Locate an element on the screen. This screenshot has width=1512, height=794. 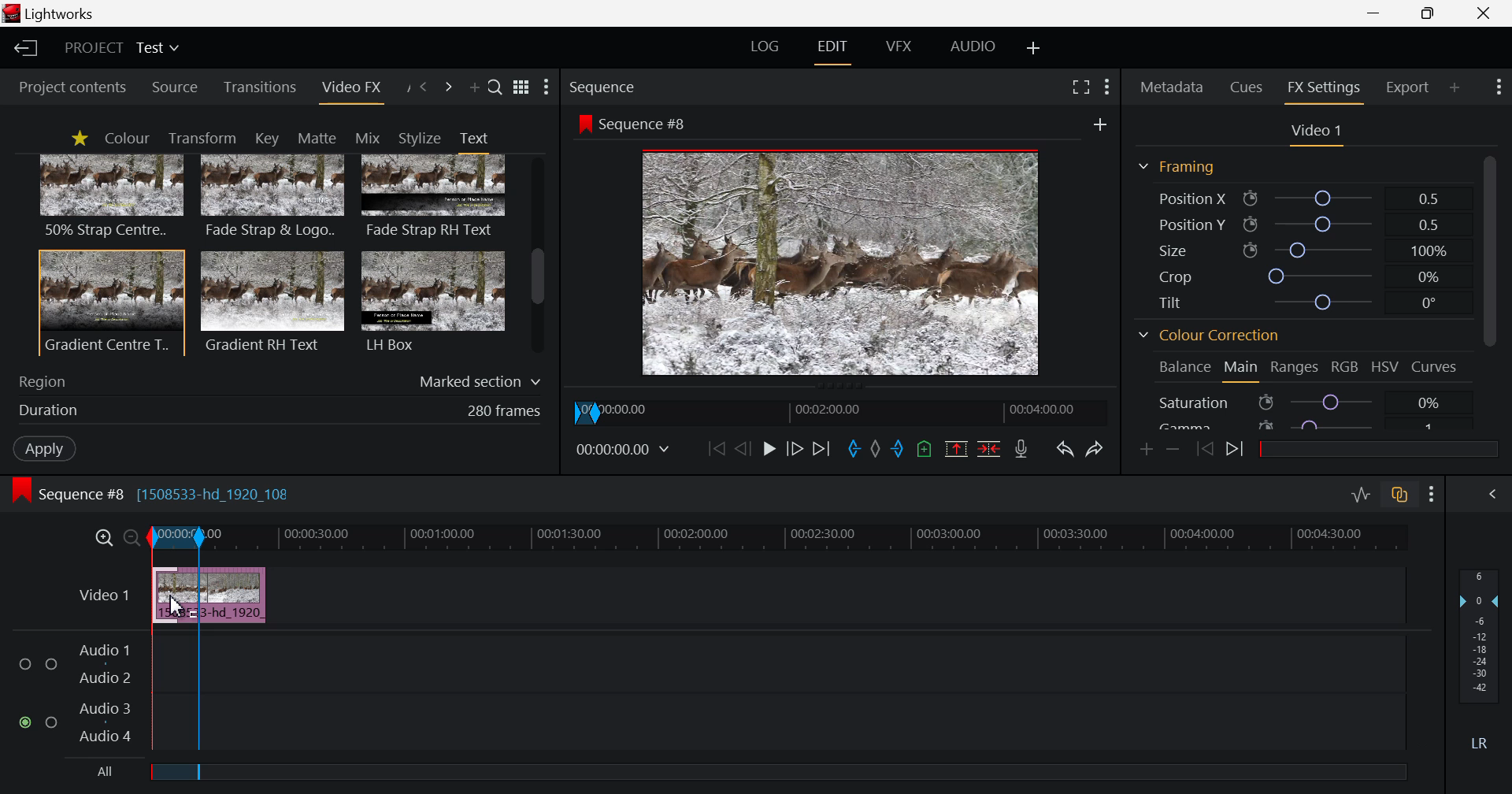
Sequence #8 [1508533-hd_1920_108 is located at coordinates (162, 493).